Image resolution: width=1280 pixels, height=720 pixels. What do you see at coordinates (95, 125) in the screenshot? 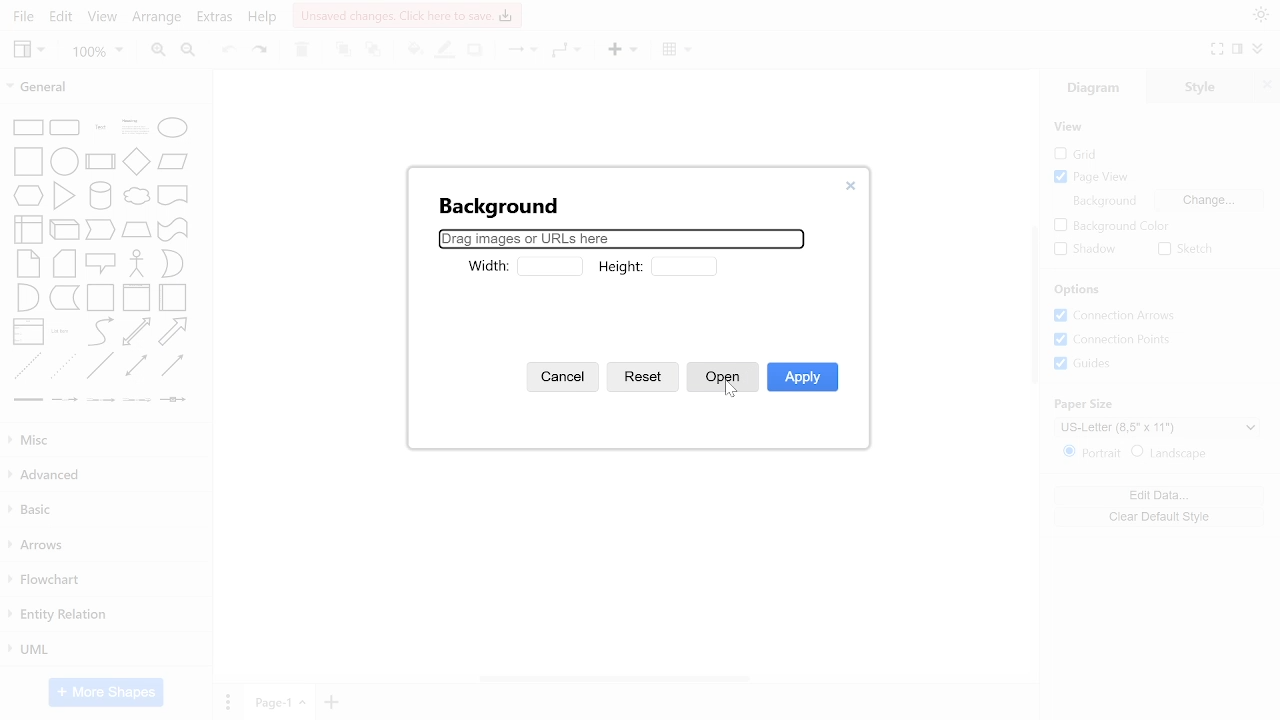
I see `general shapes` at bounding box center [95, 125].